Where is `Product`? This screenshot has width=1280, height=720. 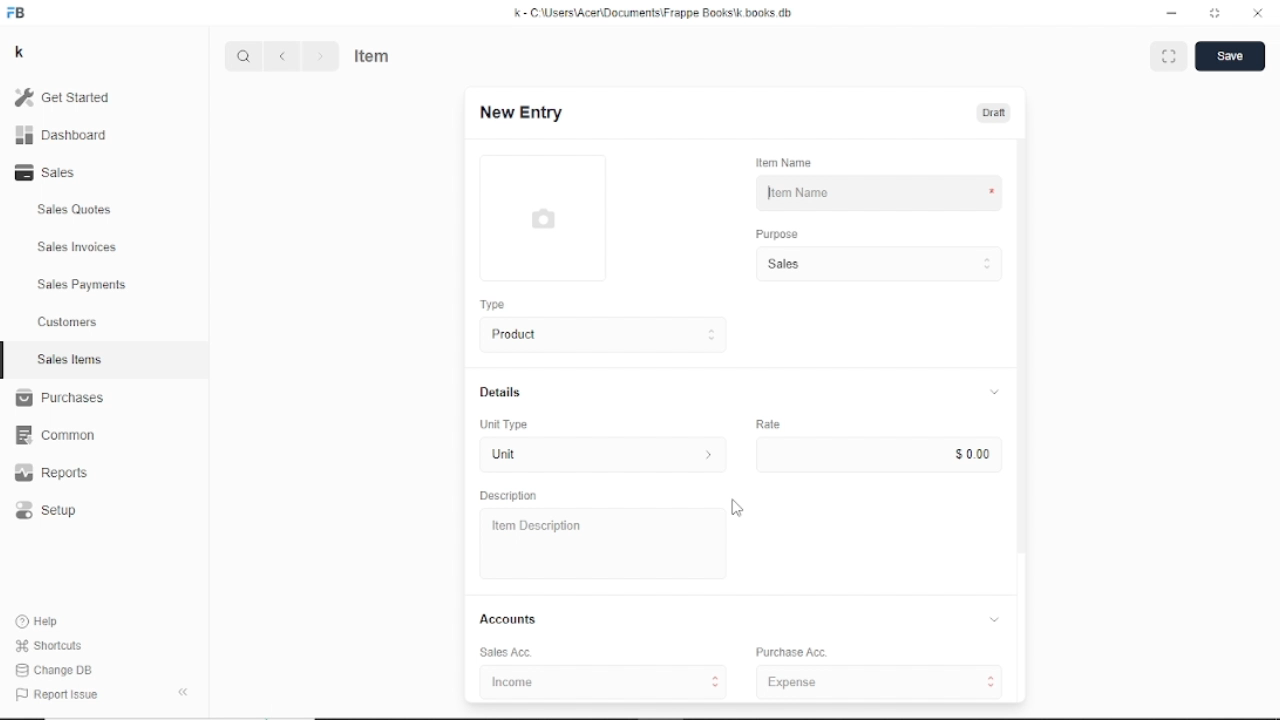
Product is located at coordinates (598, 335).